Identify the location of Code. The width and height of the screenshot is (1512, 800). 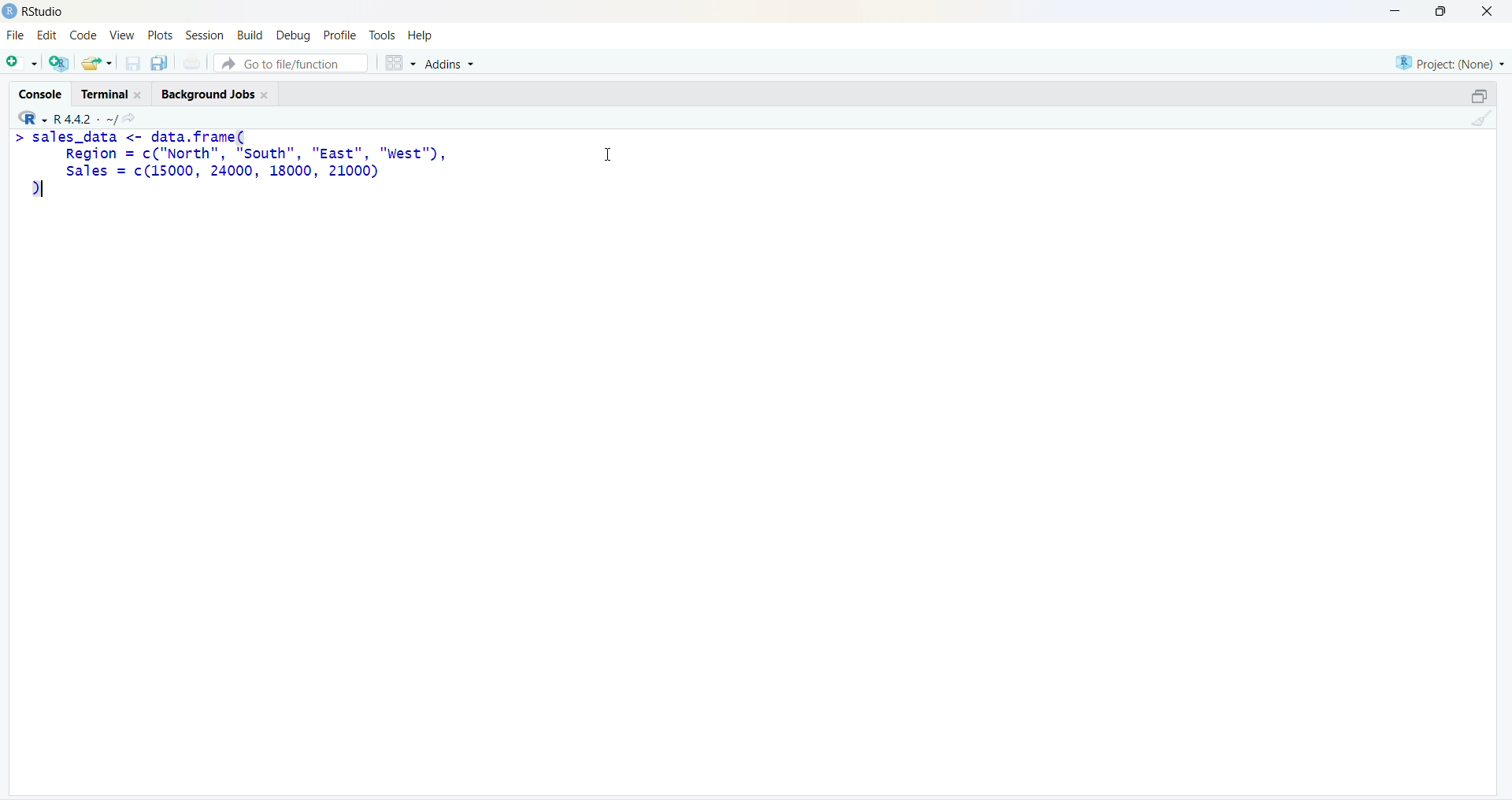
(84, 35).